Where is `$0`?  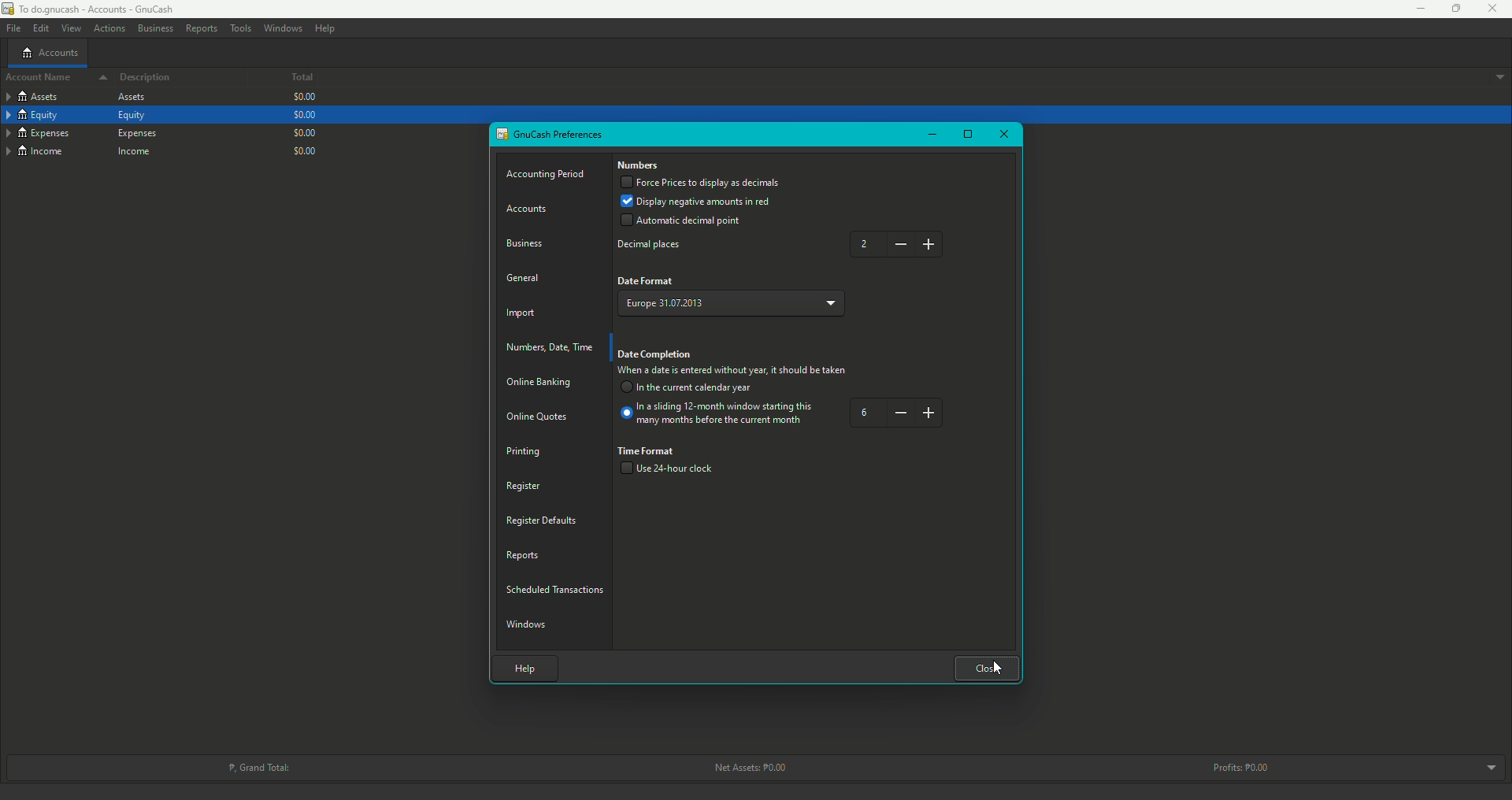
$0 is located at coordinates (303, 115).